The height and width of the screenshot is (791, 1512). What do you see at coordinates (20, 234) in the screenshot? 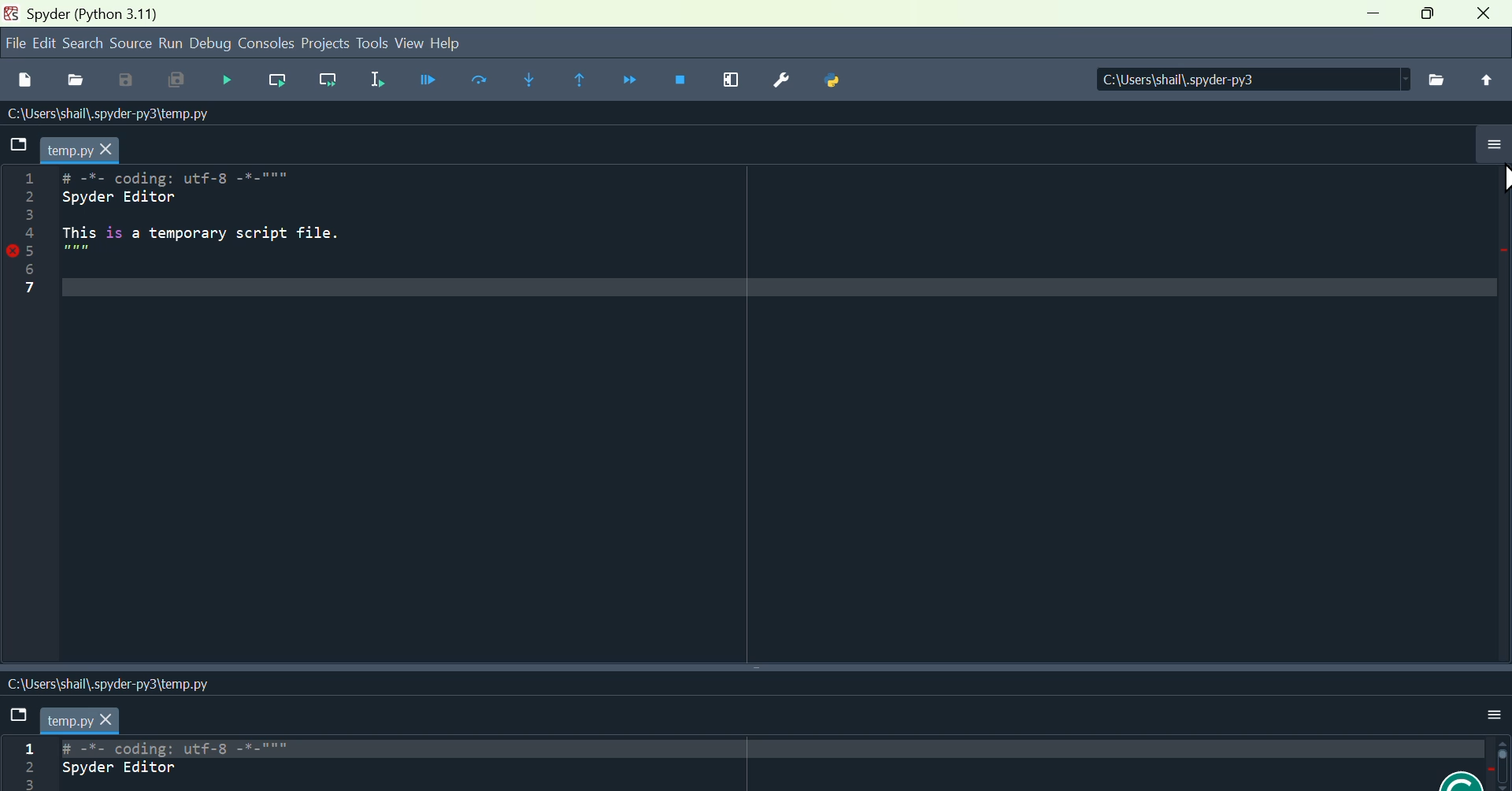
I see `Line numbers` at bounding box center [20, 234].